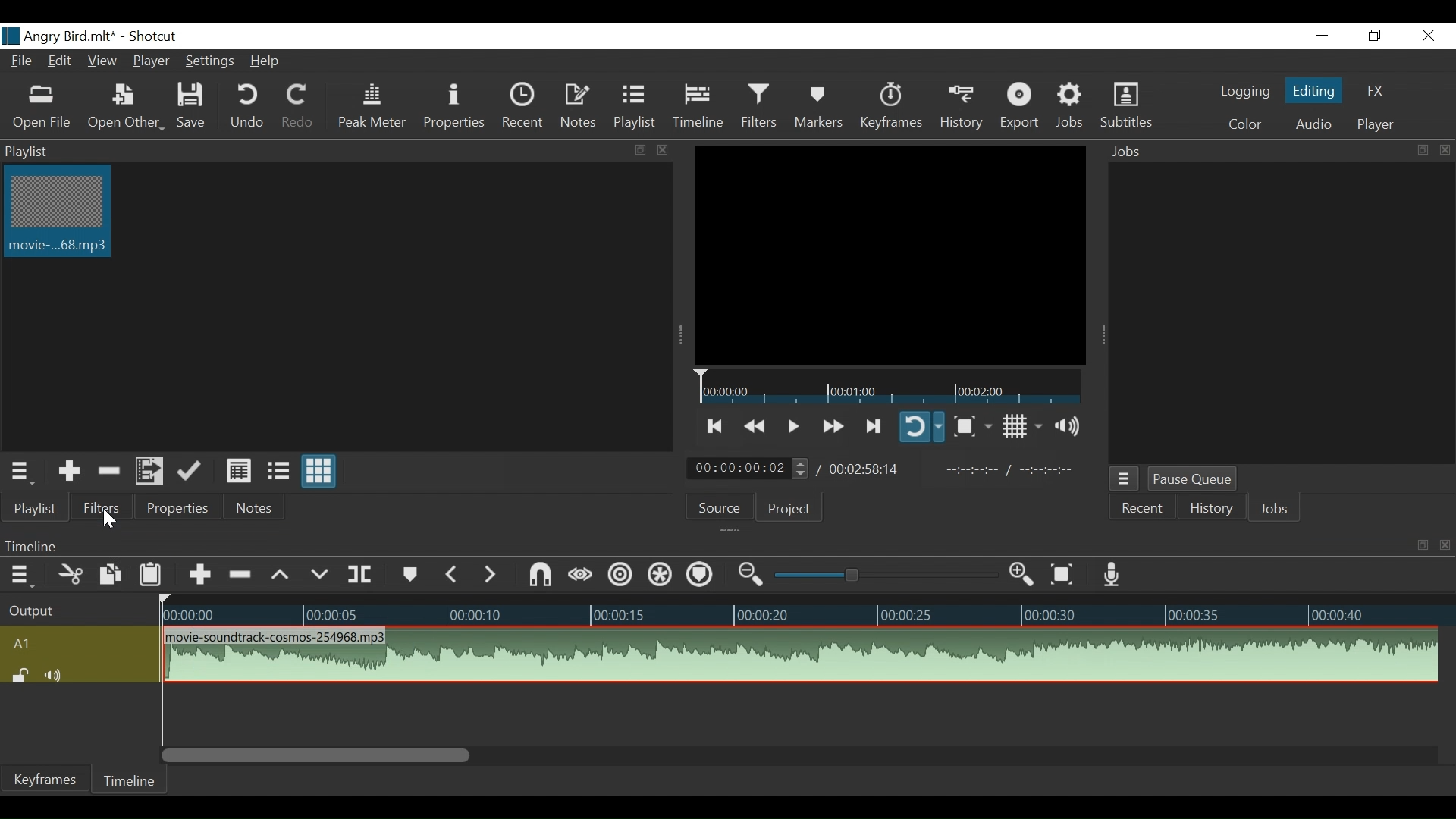  I want to click on Save, so click(194, 108).